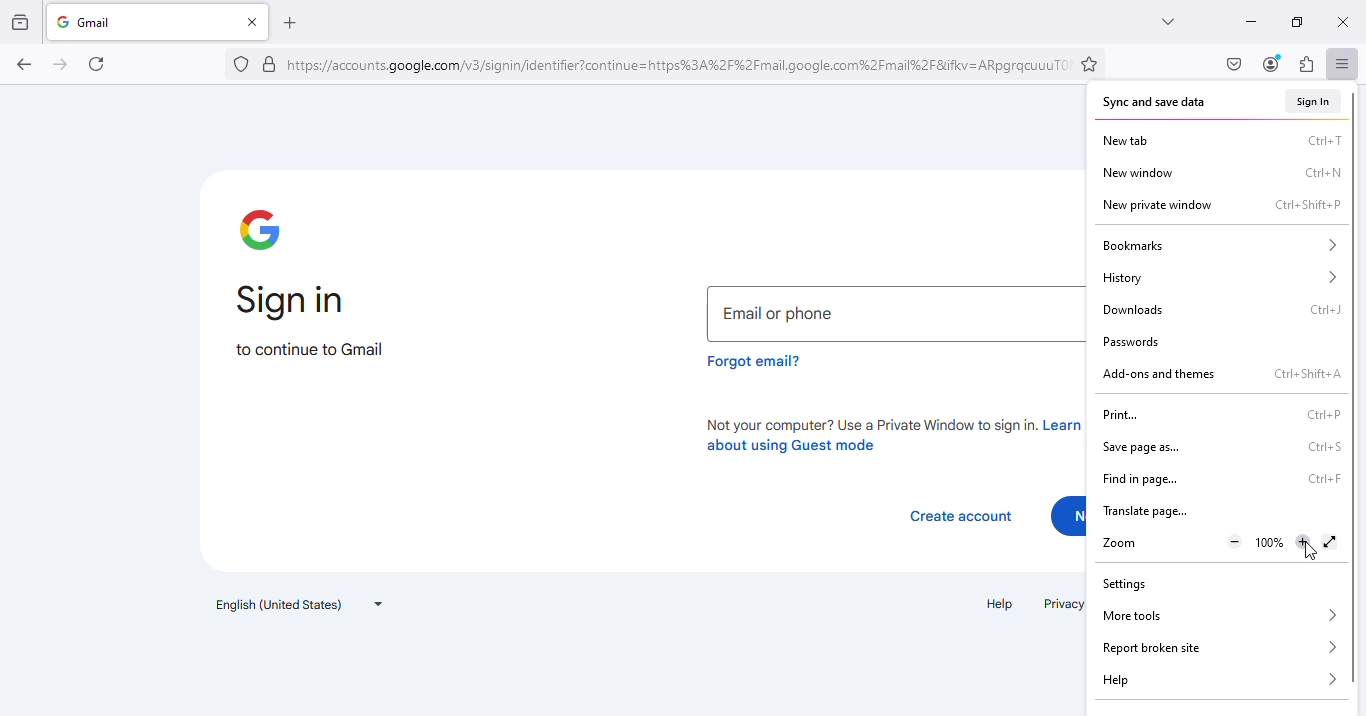 This screenshot has width=1366, height=716. What do you see at coordinates (1156, 206) in the screenshot?
I see `new private window` at bounding box center [1156, 206].